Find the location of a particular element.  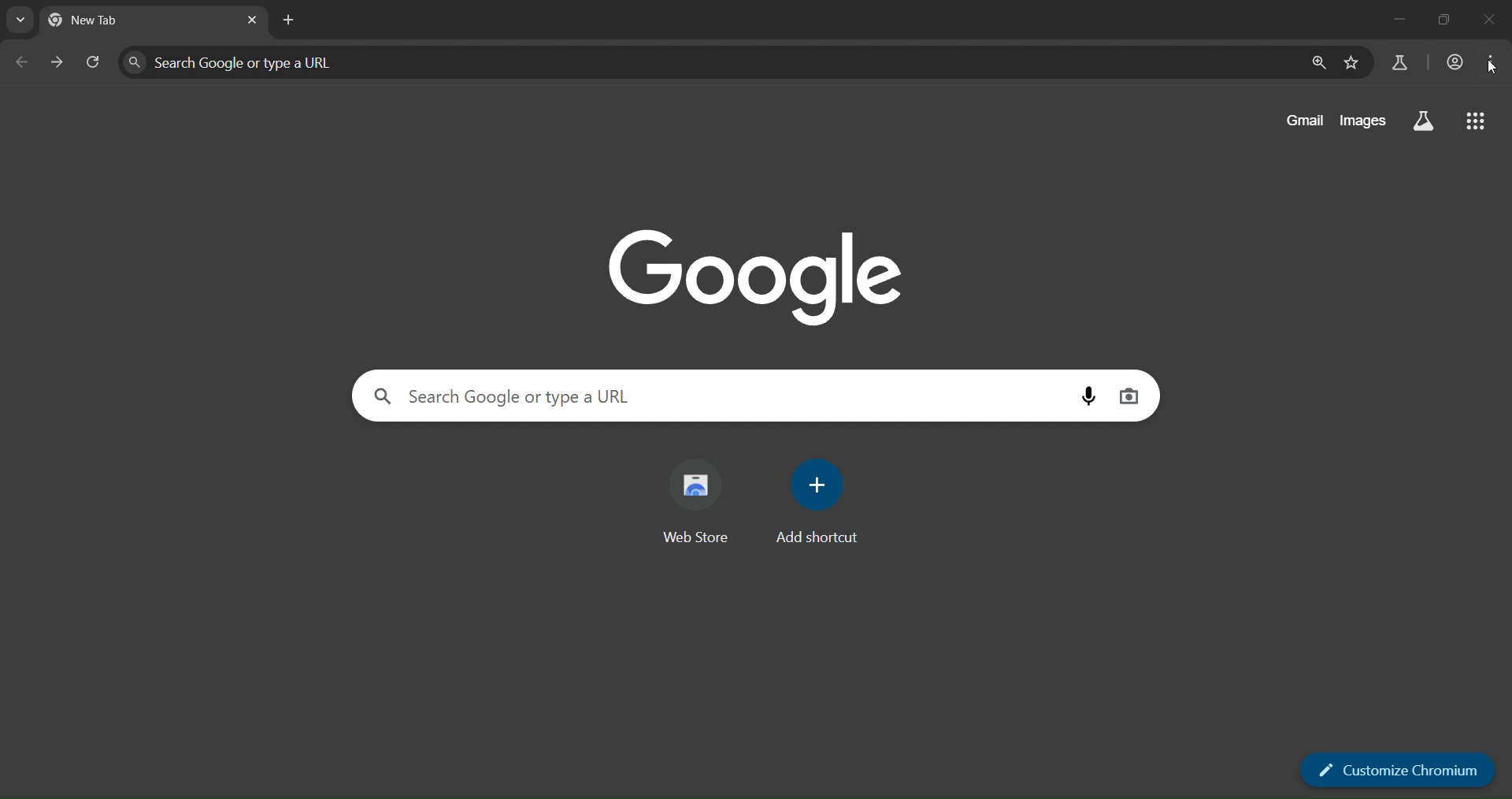

voice search is located at coordinates (1092, 397).